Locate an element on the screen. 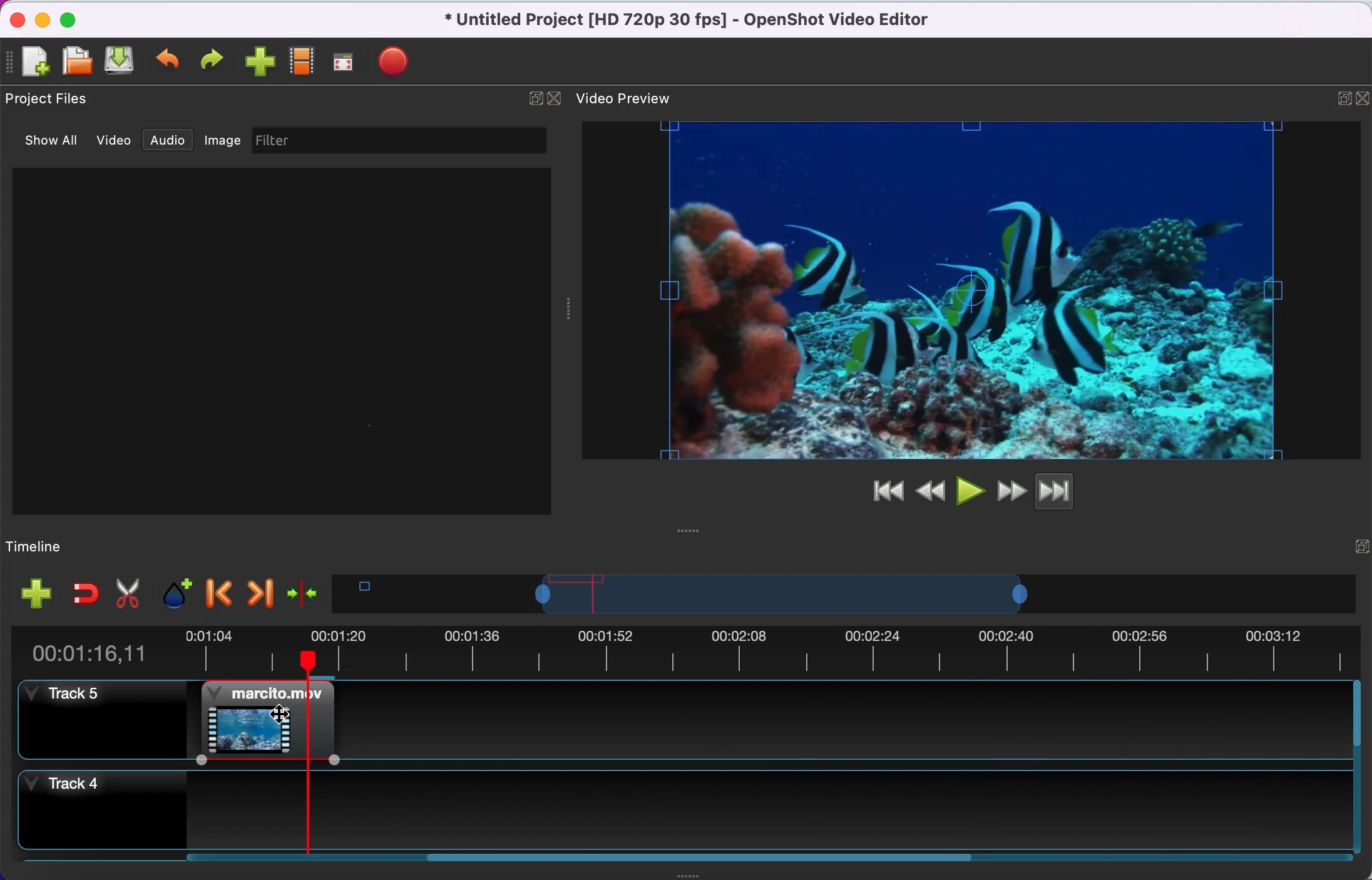  add track is located at coordinates (36, 595).